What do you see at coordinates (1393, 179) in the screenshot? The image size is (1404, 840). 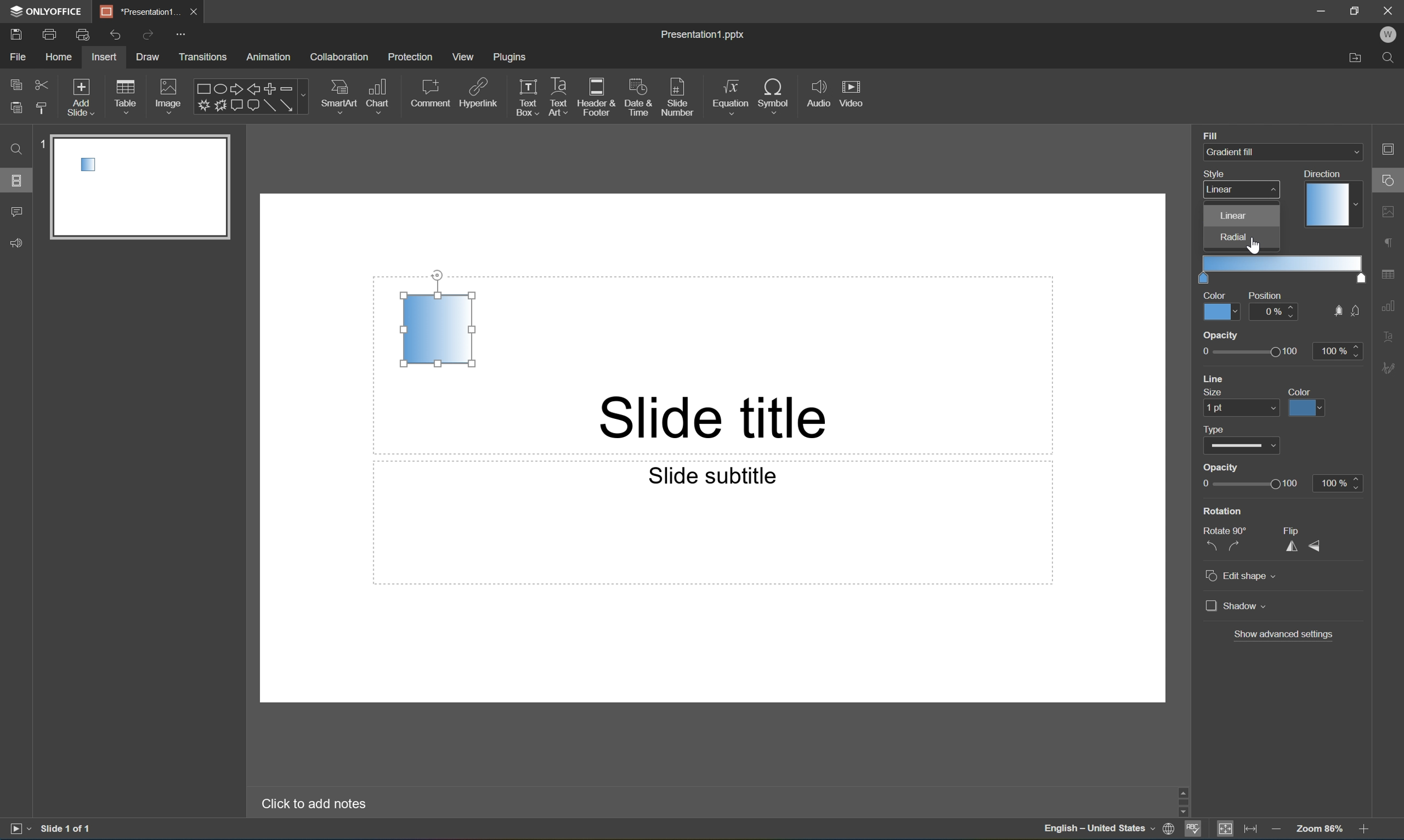 I see `Shape settings` at bounding box center [1393, 179].